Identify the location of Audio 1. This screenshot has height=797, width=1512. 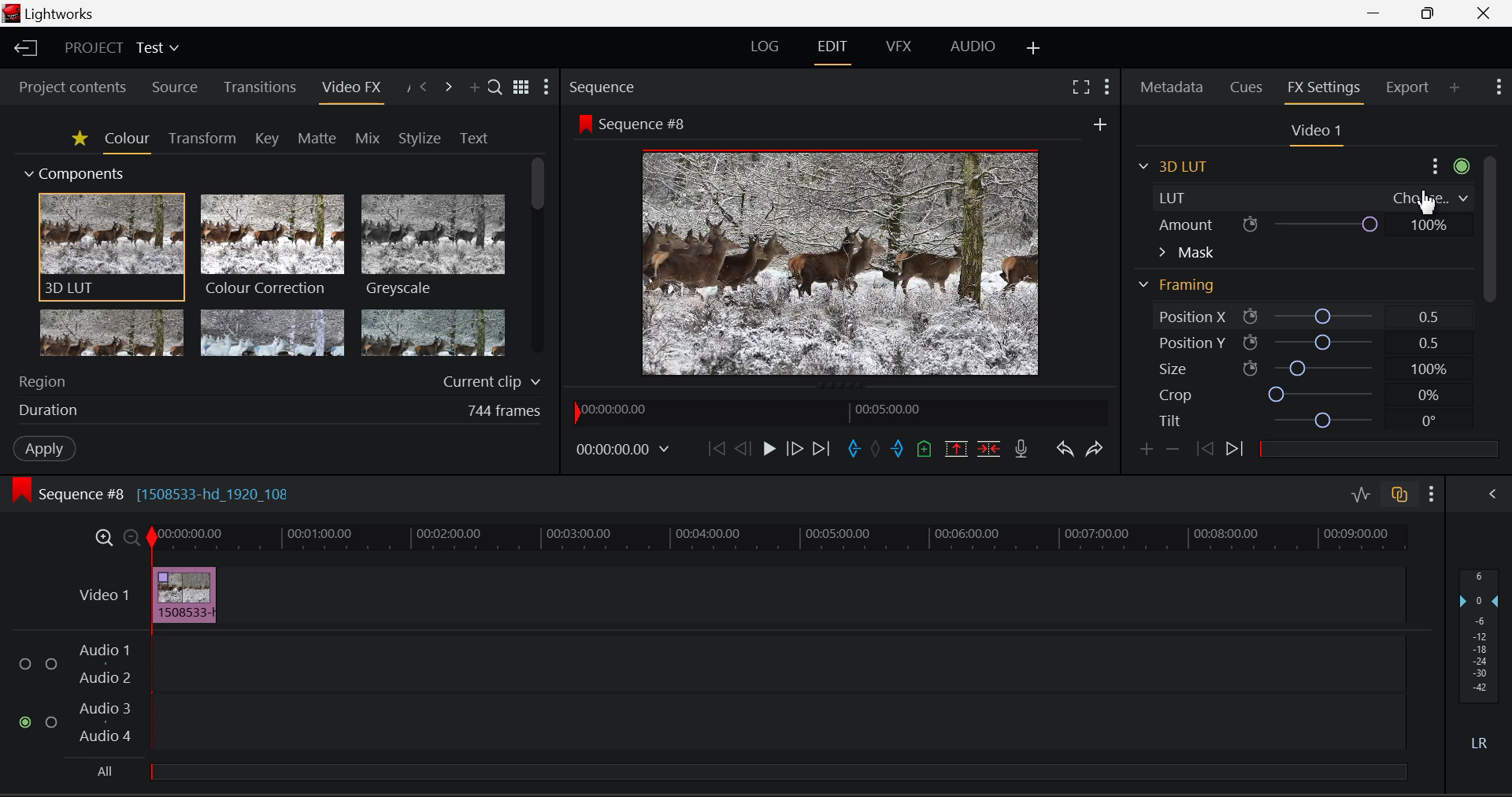
(108, 649).